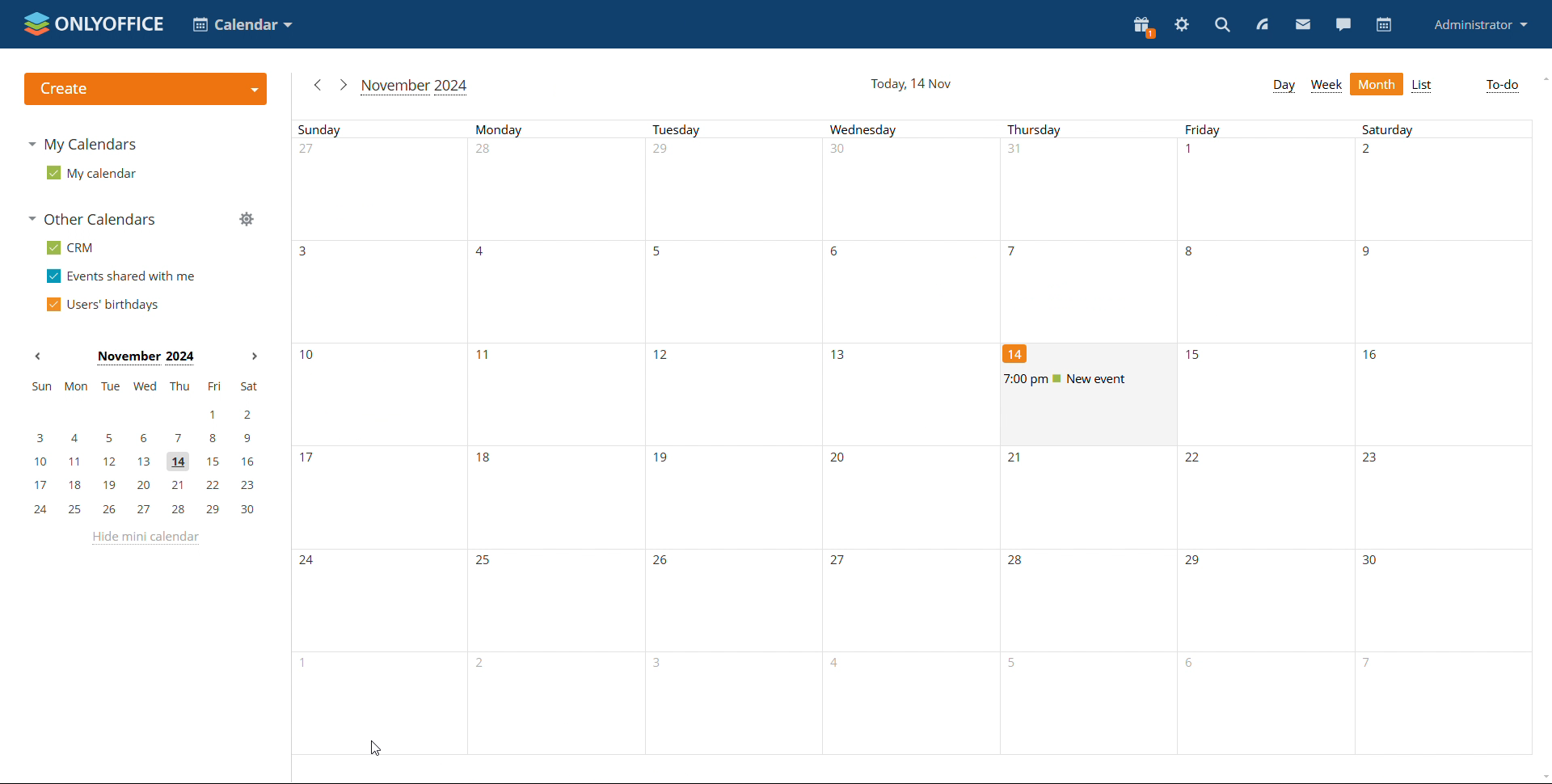 The width and height of the screenshot is (1552, 784). Describe the element at coordinates (293, 664) in the screenshot. I see `number` at that location.